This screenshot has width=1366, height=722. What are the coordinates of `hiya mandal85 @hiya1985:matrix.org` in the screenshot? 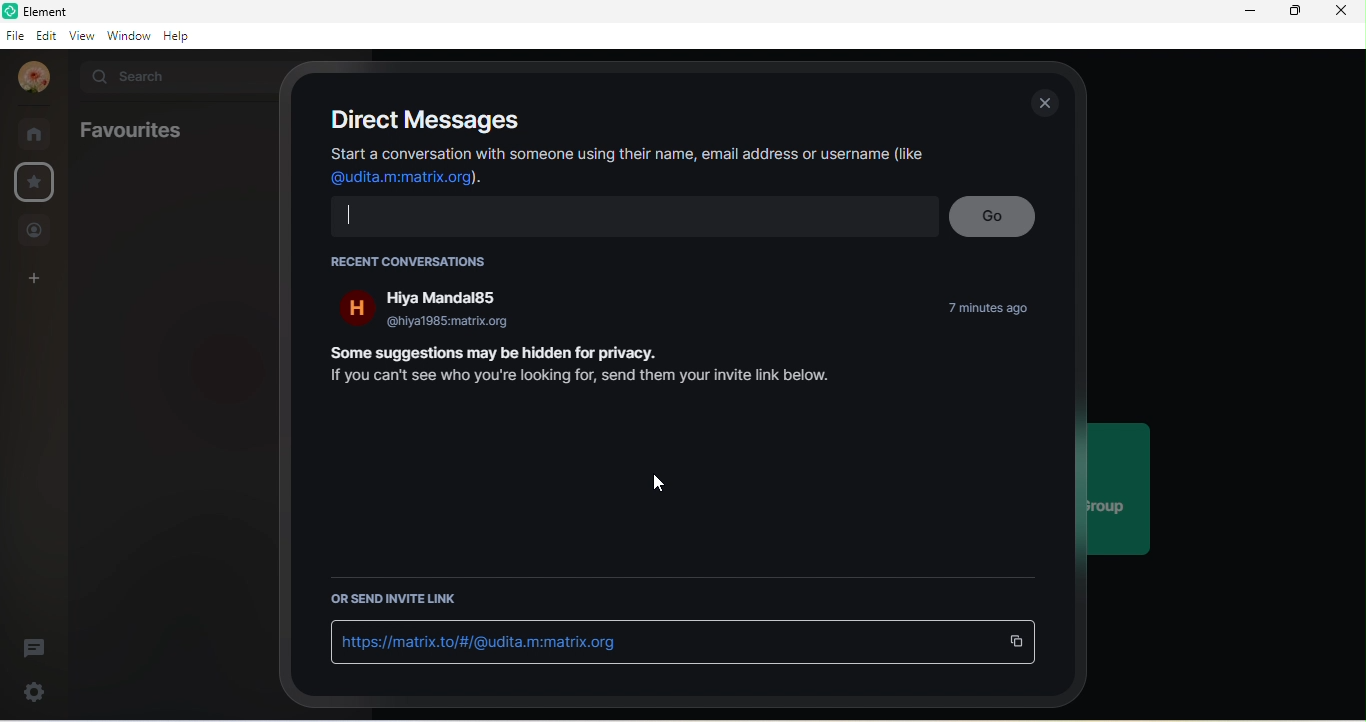 It's located at (428, 307).